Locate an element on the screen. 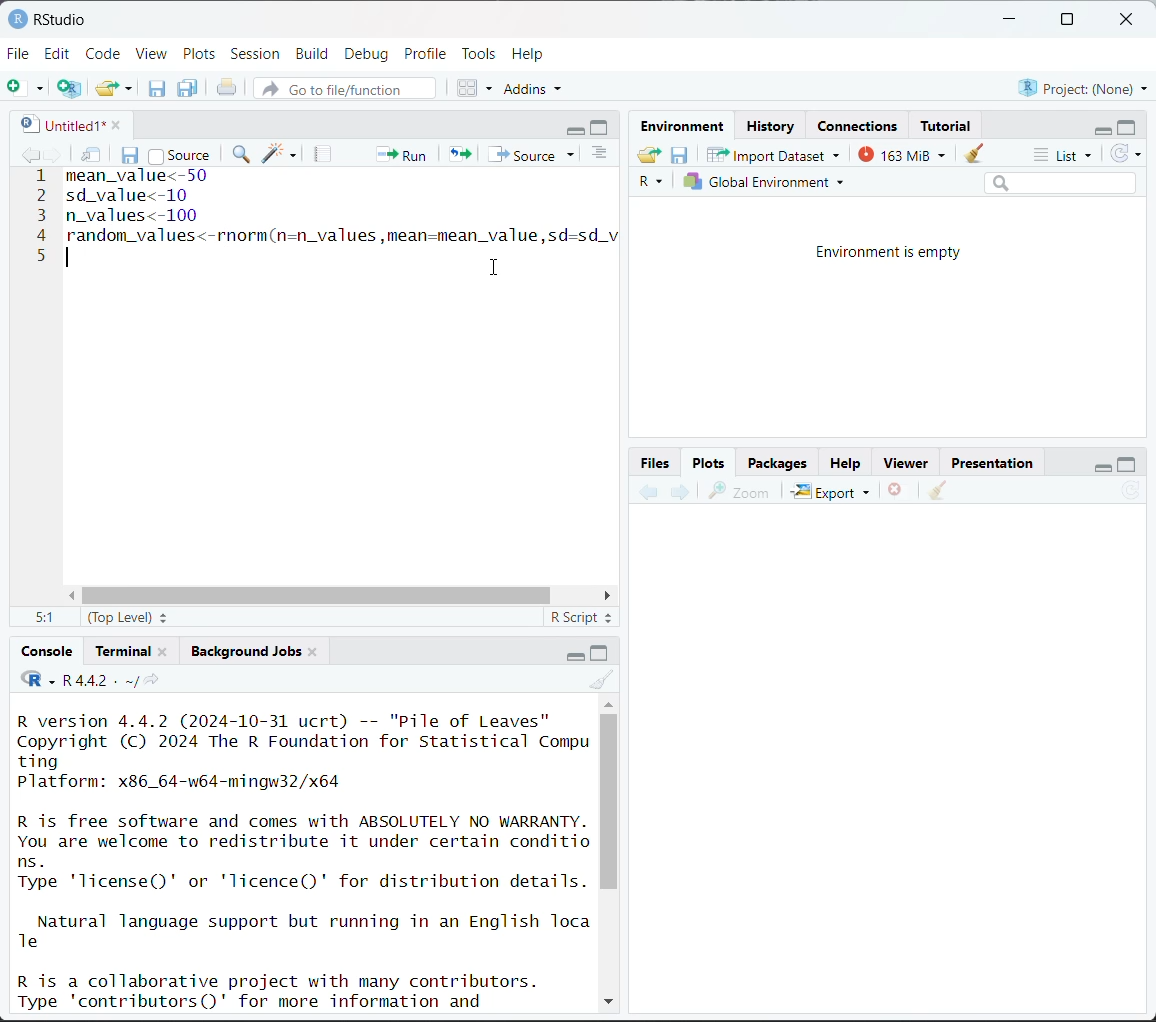 The height and width of the screenshot is (1022, 1156). minimize is located at coordinates (1011, 20).